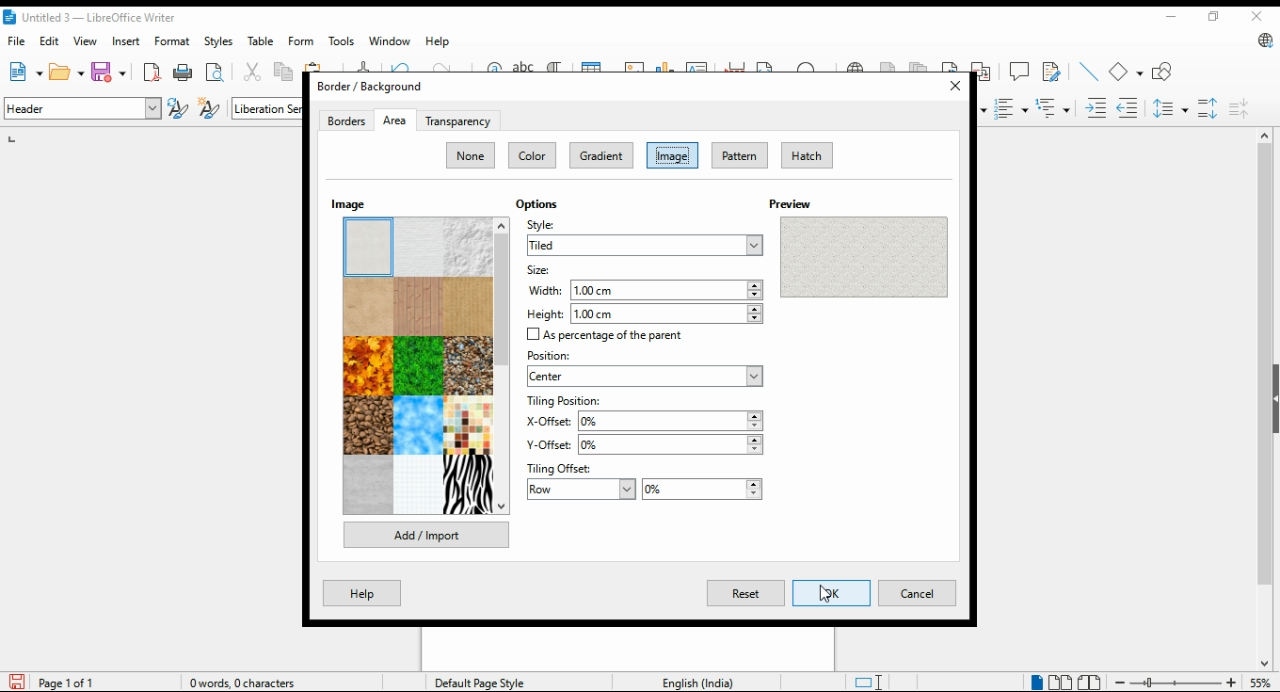  Describe the element at coordinates (494, 65) in the screenshot. I see `find and replace` at that location.